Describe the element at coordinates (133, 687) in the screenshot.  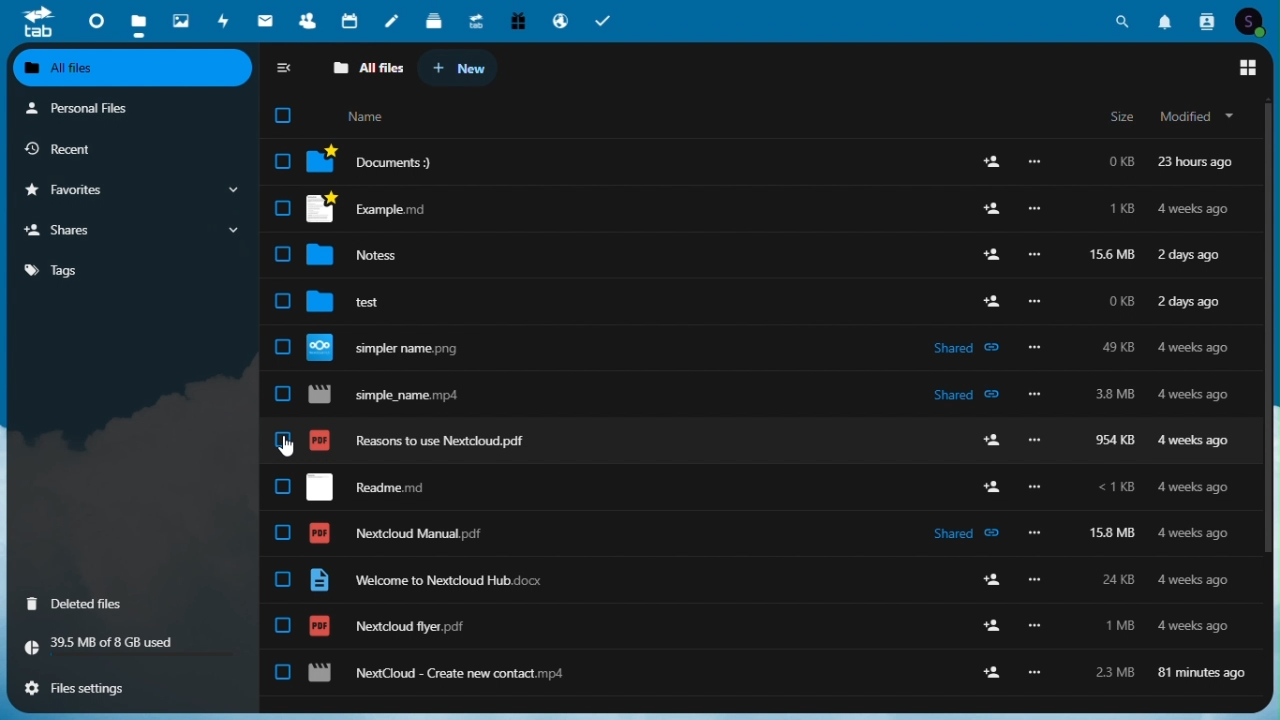
I see `files settings` at that location.